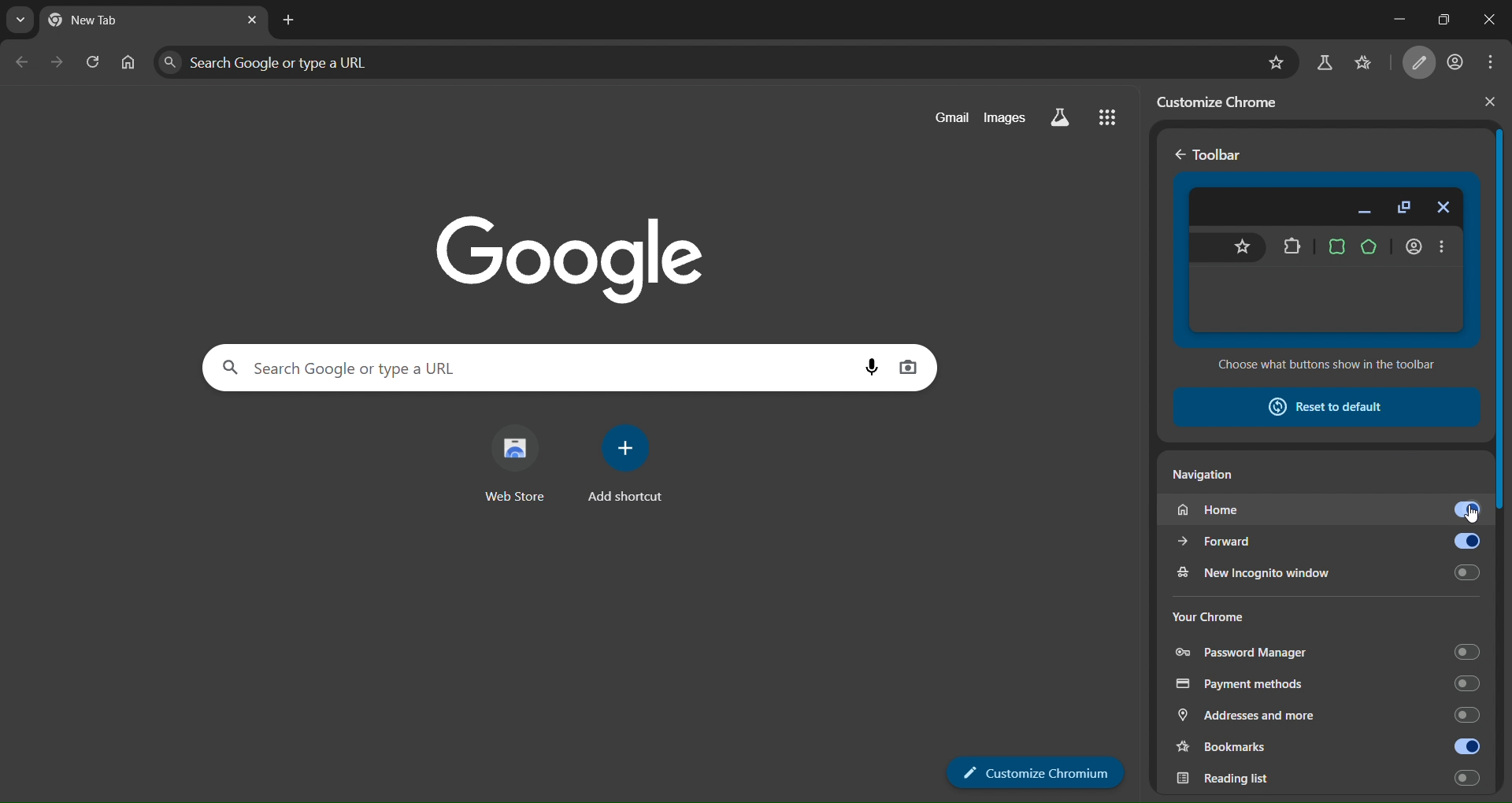 Image resolution: width=1512 pixels, height=803 pixels. I want to click on Choose what buttons show in the toolbar, so click(1322, 364).